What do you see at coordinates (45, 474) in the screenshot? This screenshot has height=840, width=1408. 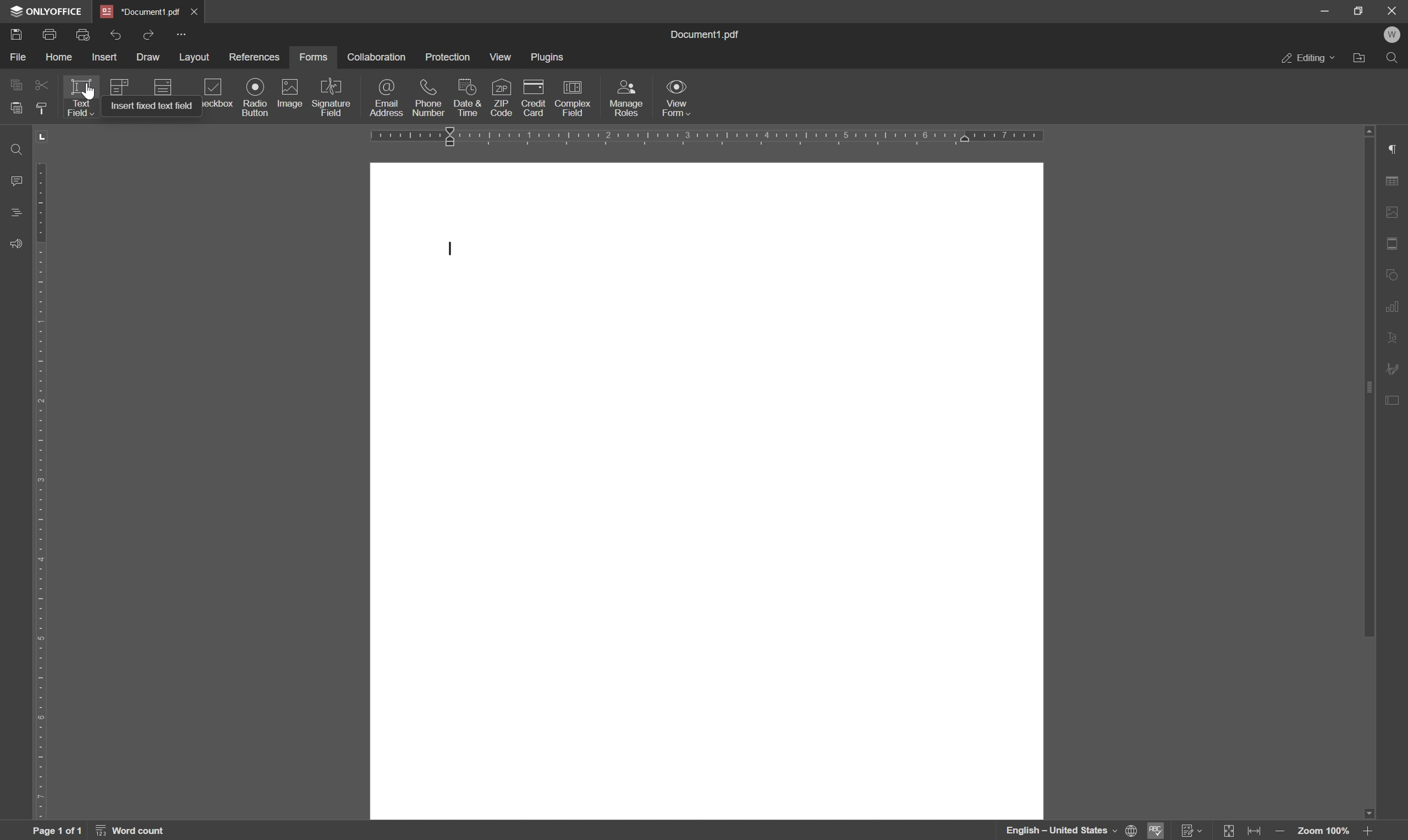 I see `ruler` at bounding box center [45, 474].